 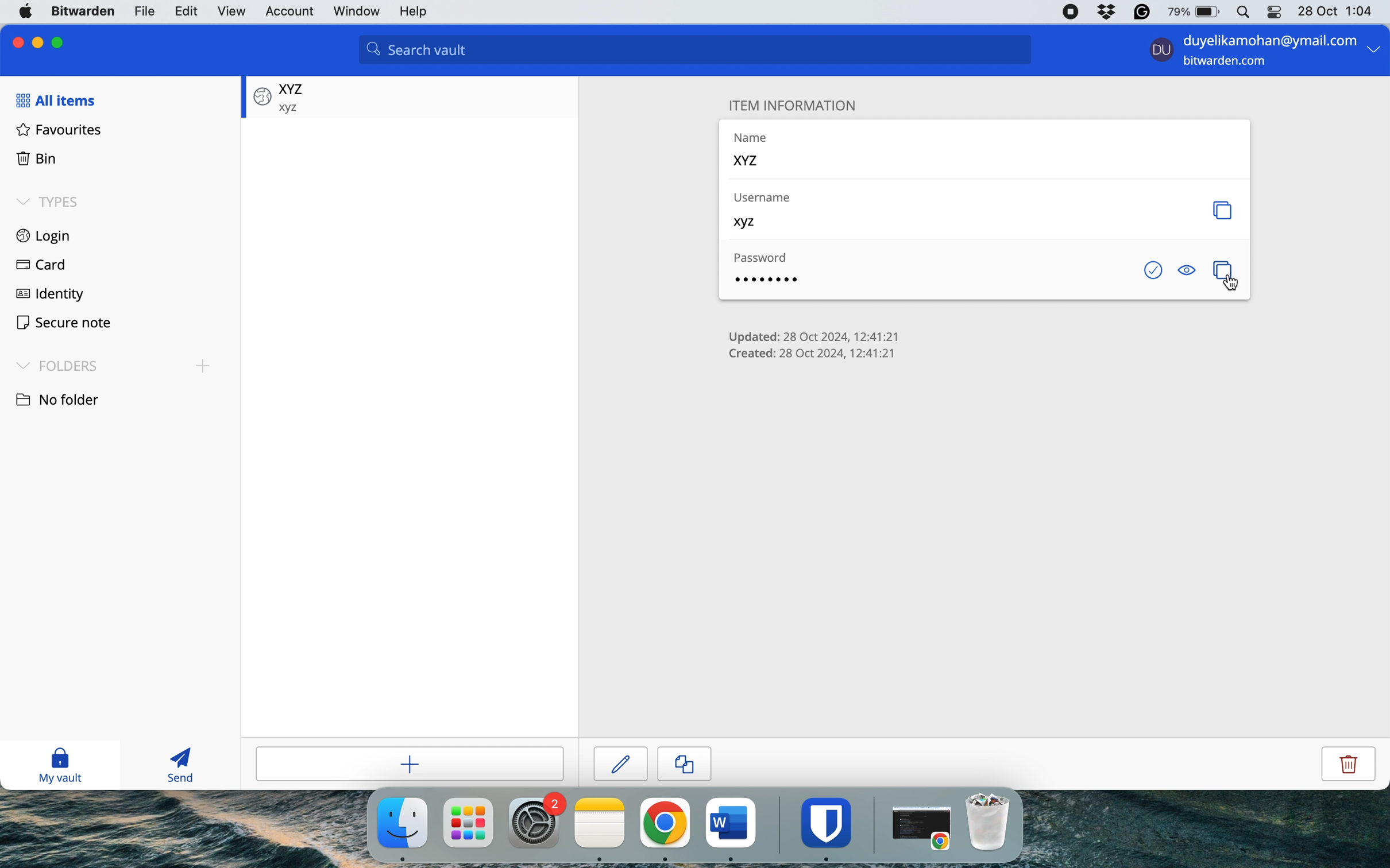 What do you see at coordinates (15, 41) in the screenshot?
I see `close` at bounding box center [15, 41].